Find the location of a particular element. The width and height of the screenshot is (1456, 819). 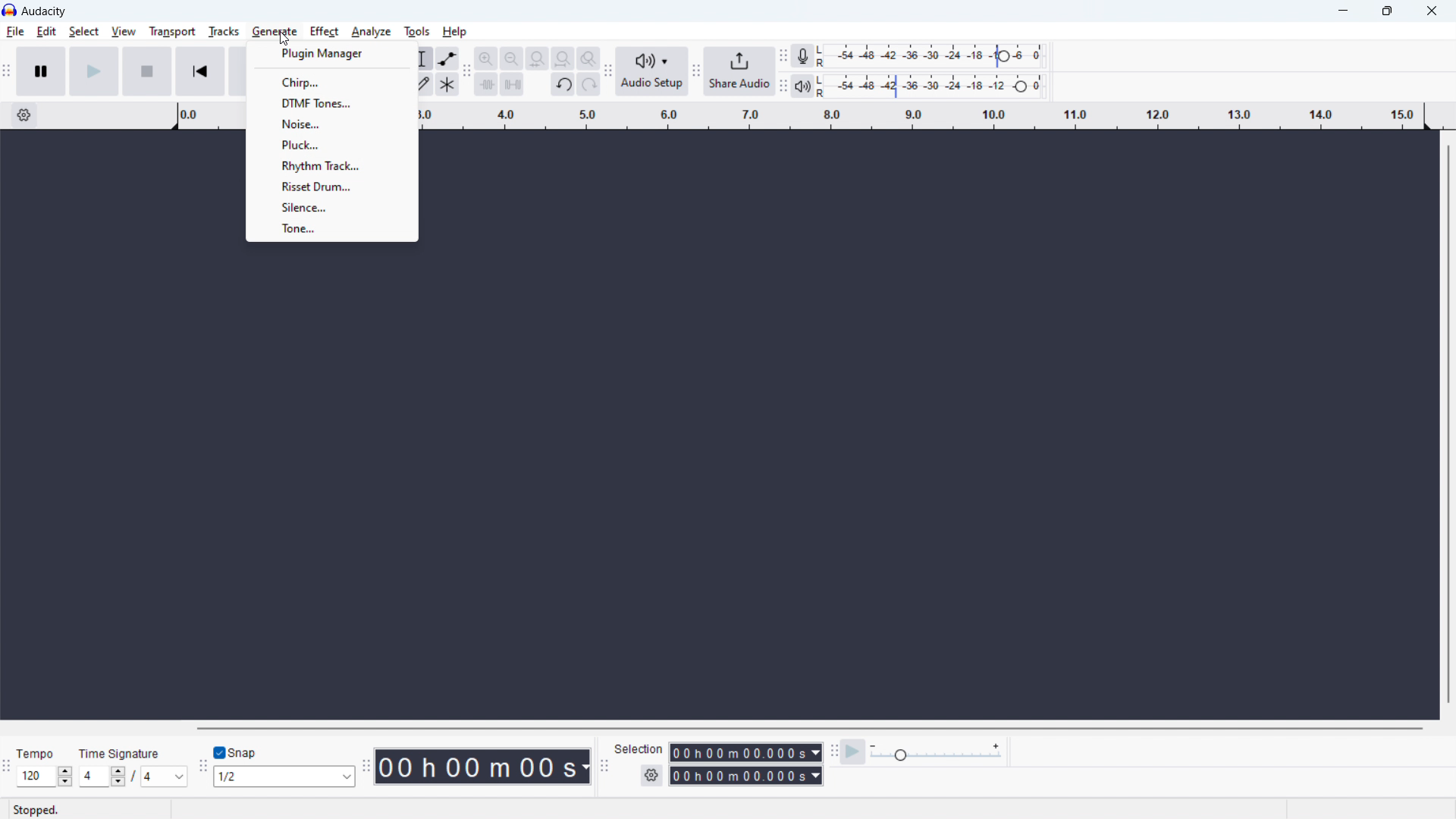

start time is located at coordinates (747, 753).